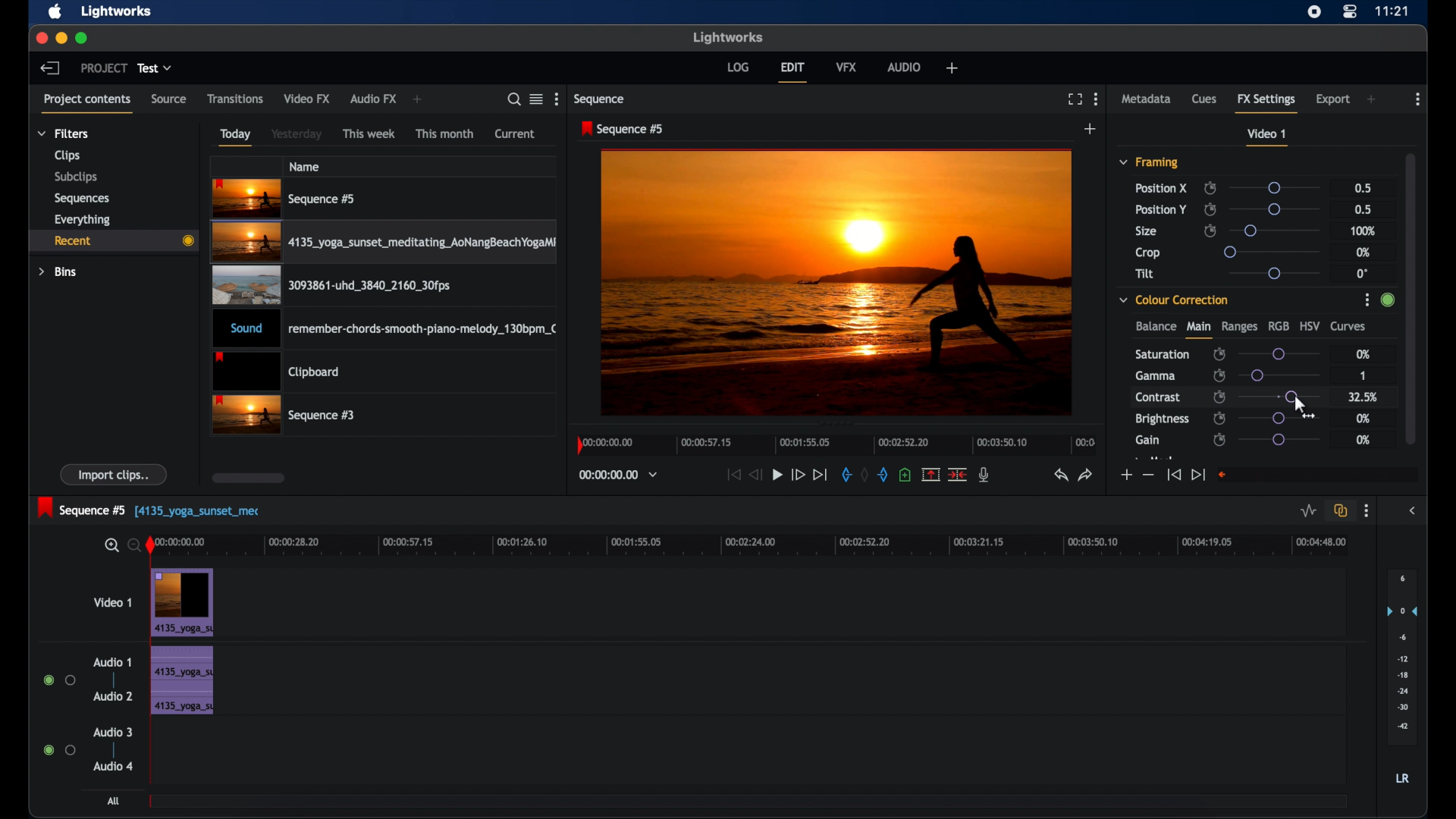  What do you see at coordinates (184, 603) in the screenshot?
I see `video clip` at bounding box center [184, 603].